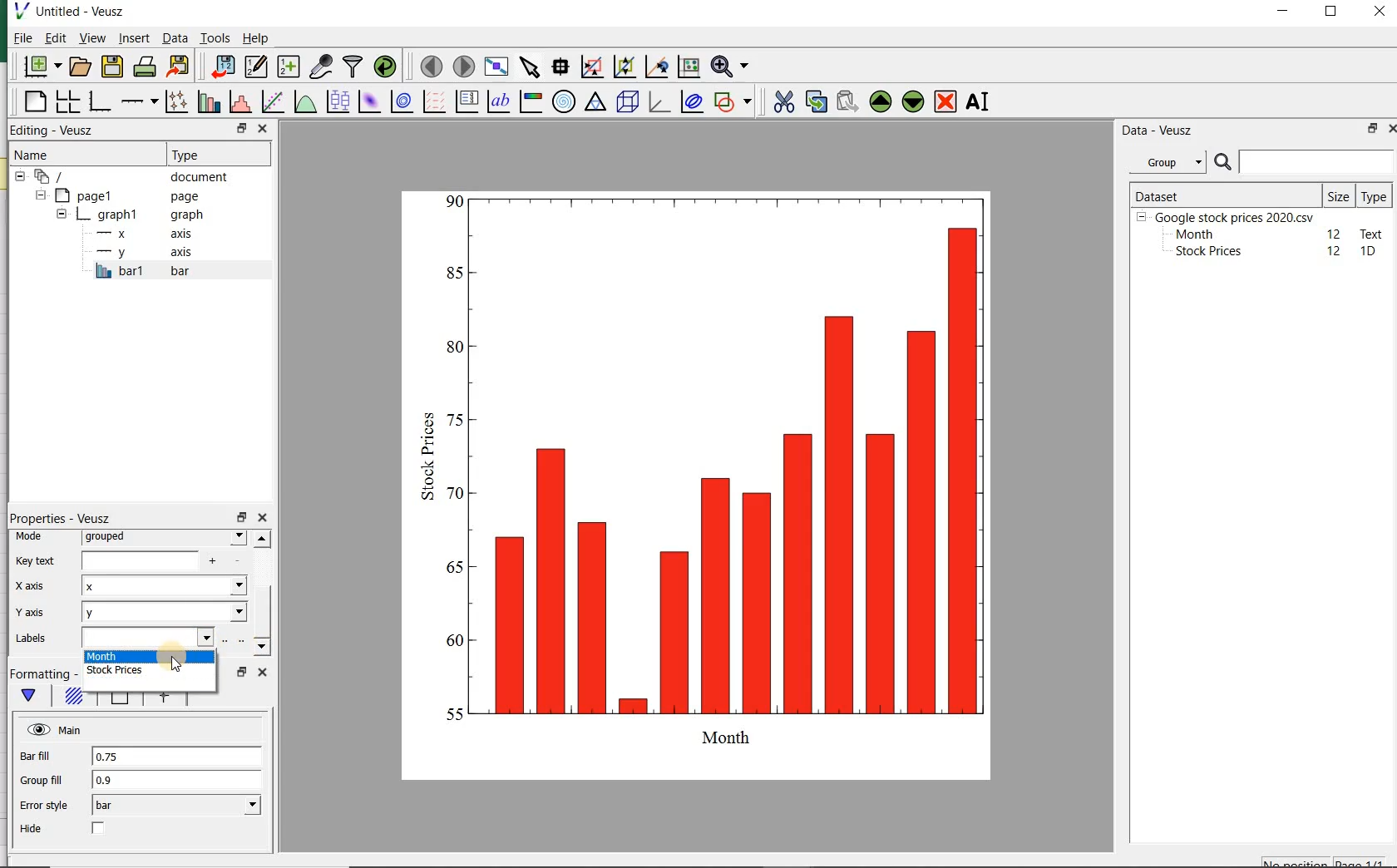 The width and height of the screenshot is (1397, 868). Describe the element at coordinates (1224, 193) in the screenshot. I see `DATASET` at that location.